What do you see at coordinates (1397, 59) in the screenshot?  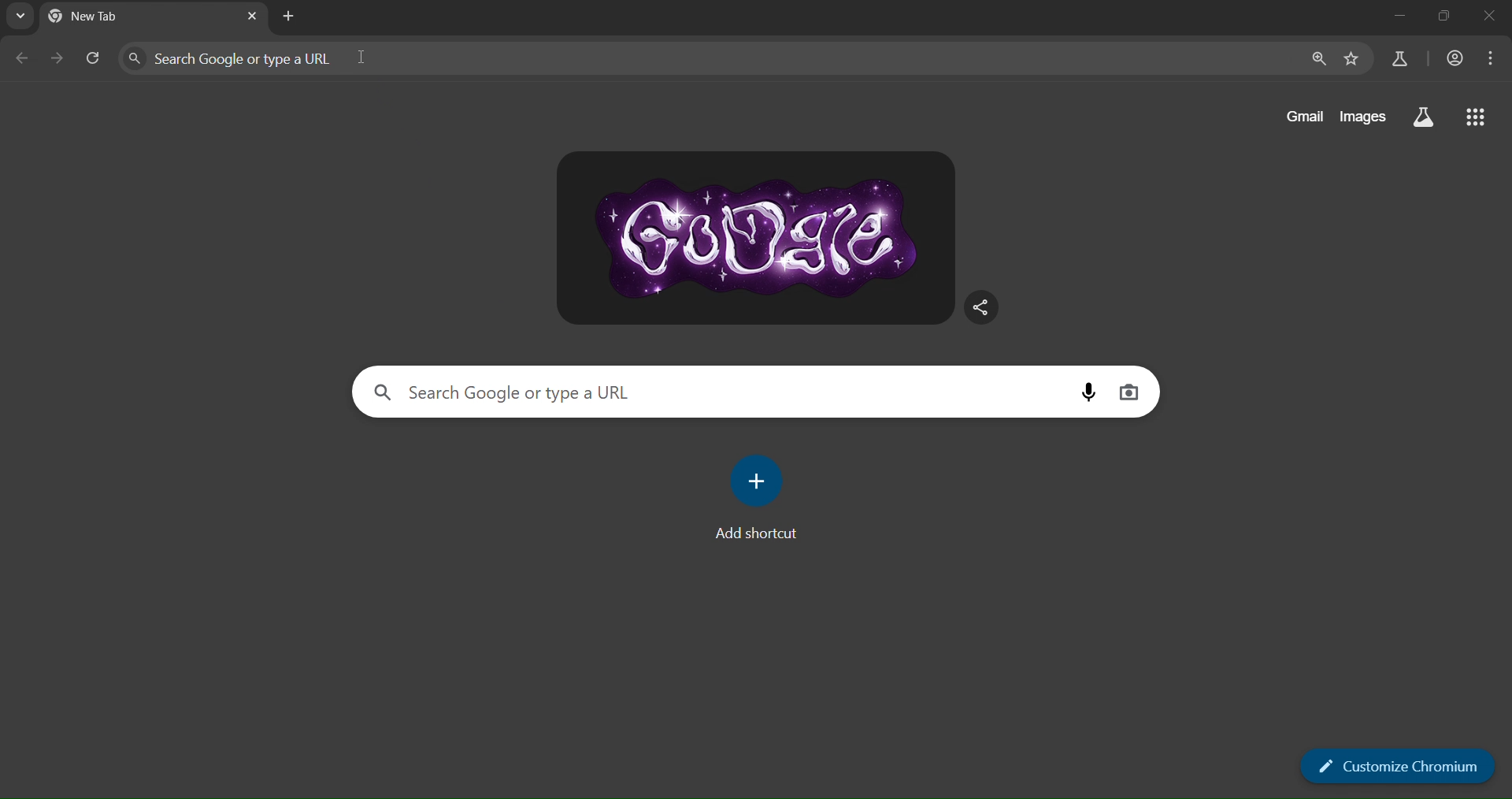 I see `search labs` at bounding box center [1397, 59].